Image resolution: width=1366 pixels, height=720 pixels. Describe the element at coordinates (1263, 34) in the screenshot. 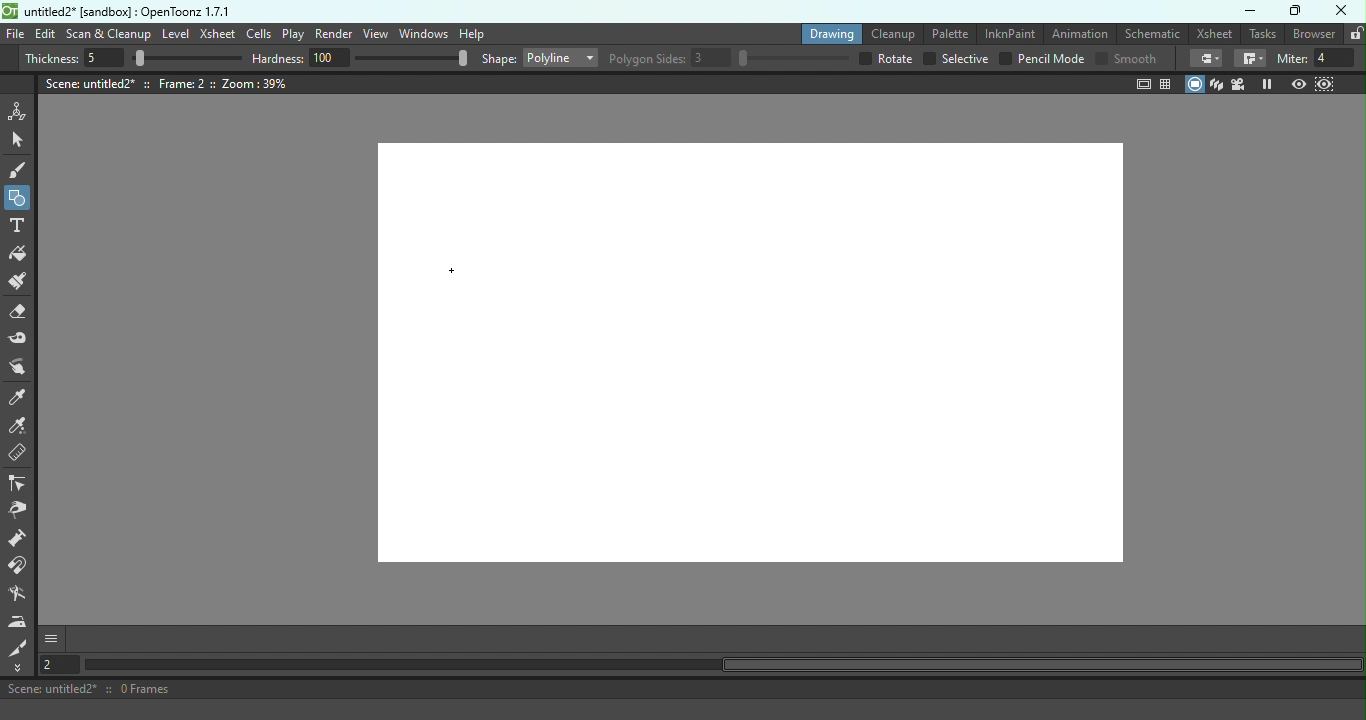

I see `Tasks` at that location.